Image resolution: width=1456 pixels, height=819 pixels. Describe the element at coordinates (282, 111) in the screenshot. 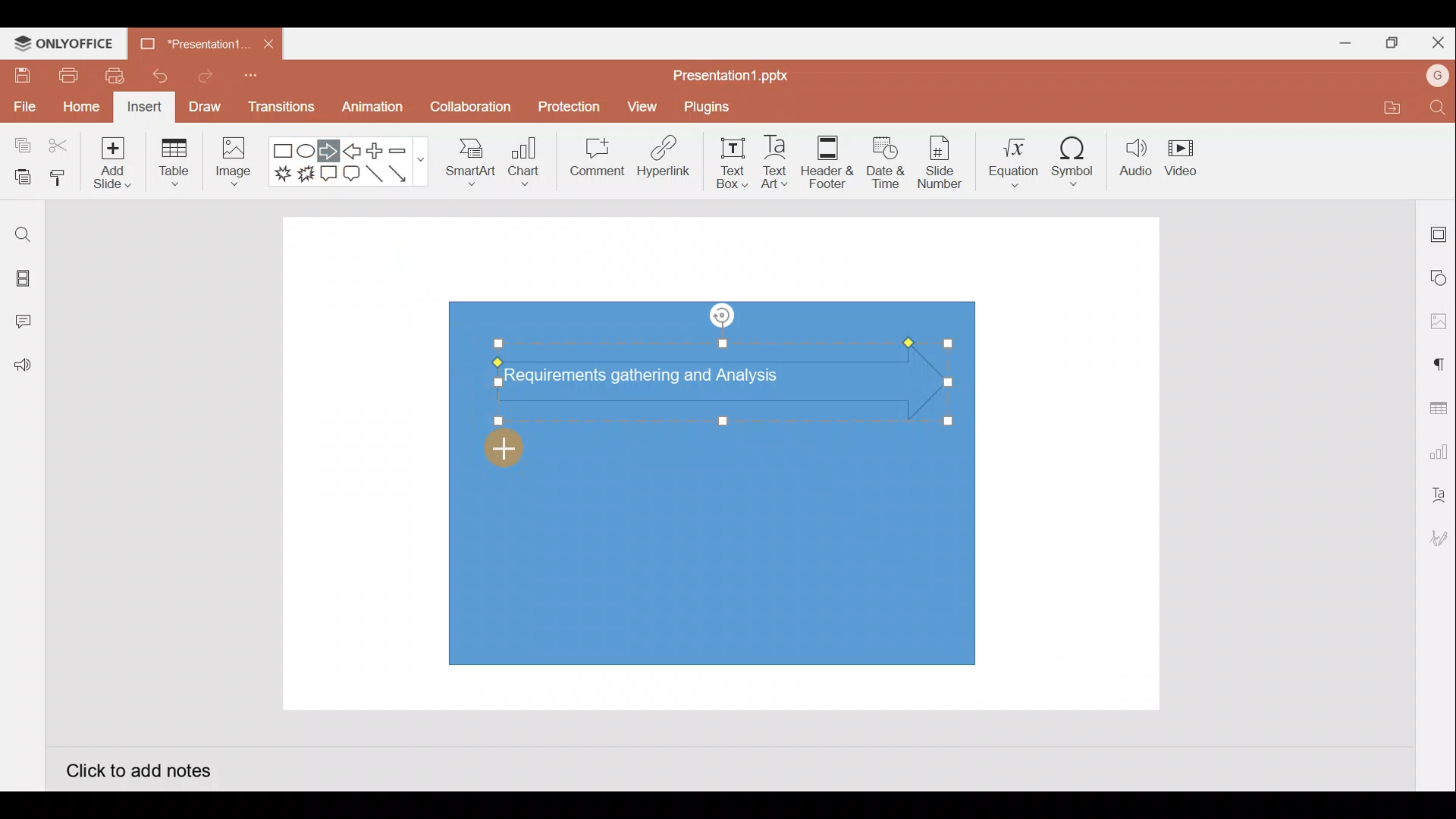

I see `Transitions` at that location.